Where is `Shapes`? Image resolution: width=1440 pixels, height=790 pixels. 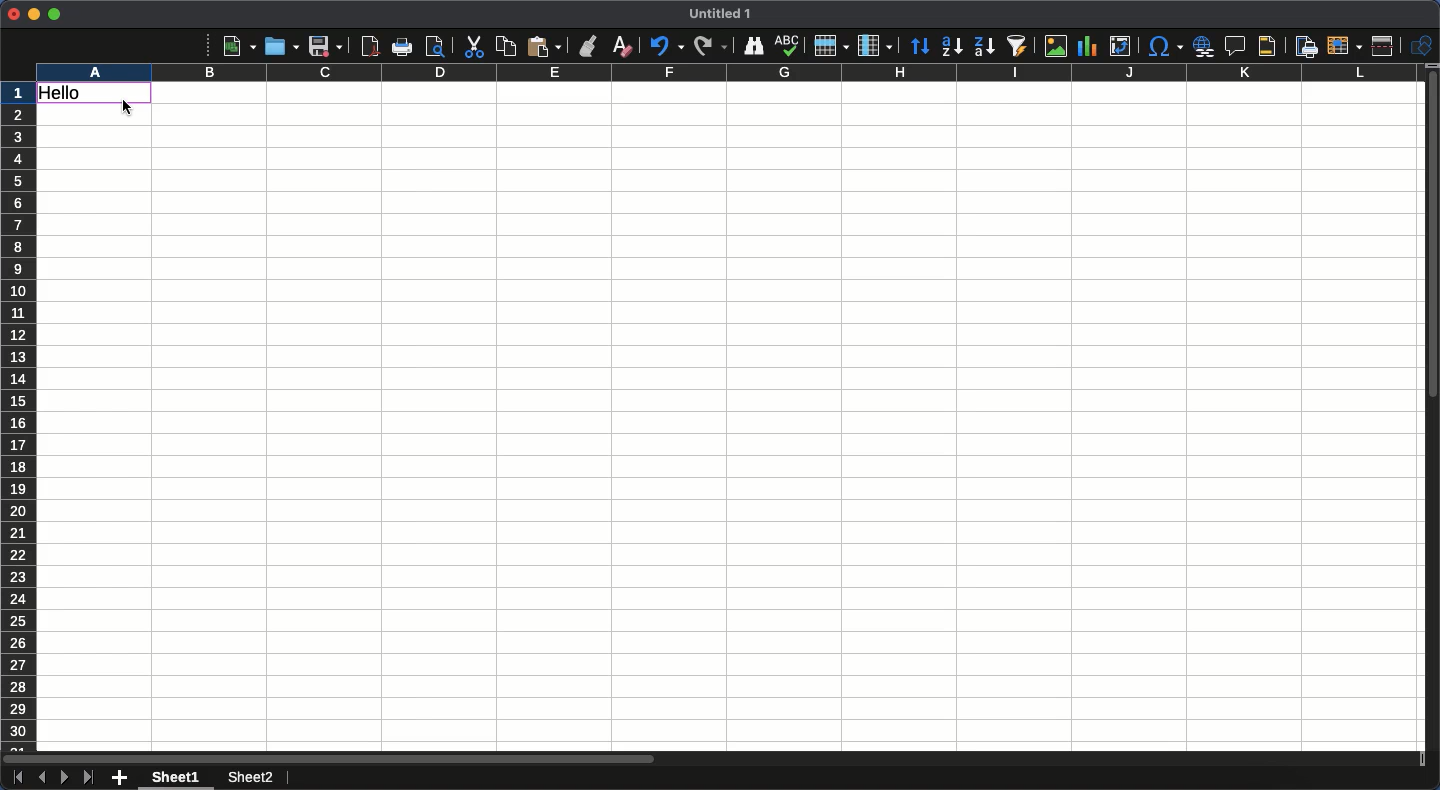 Shapes is located at coordinates (1424, 46).